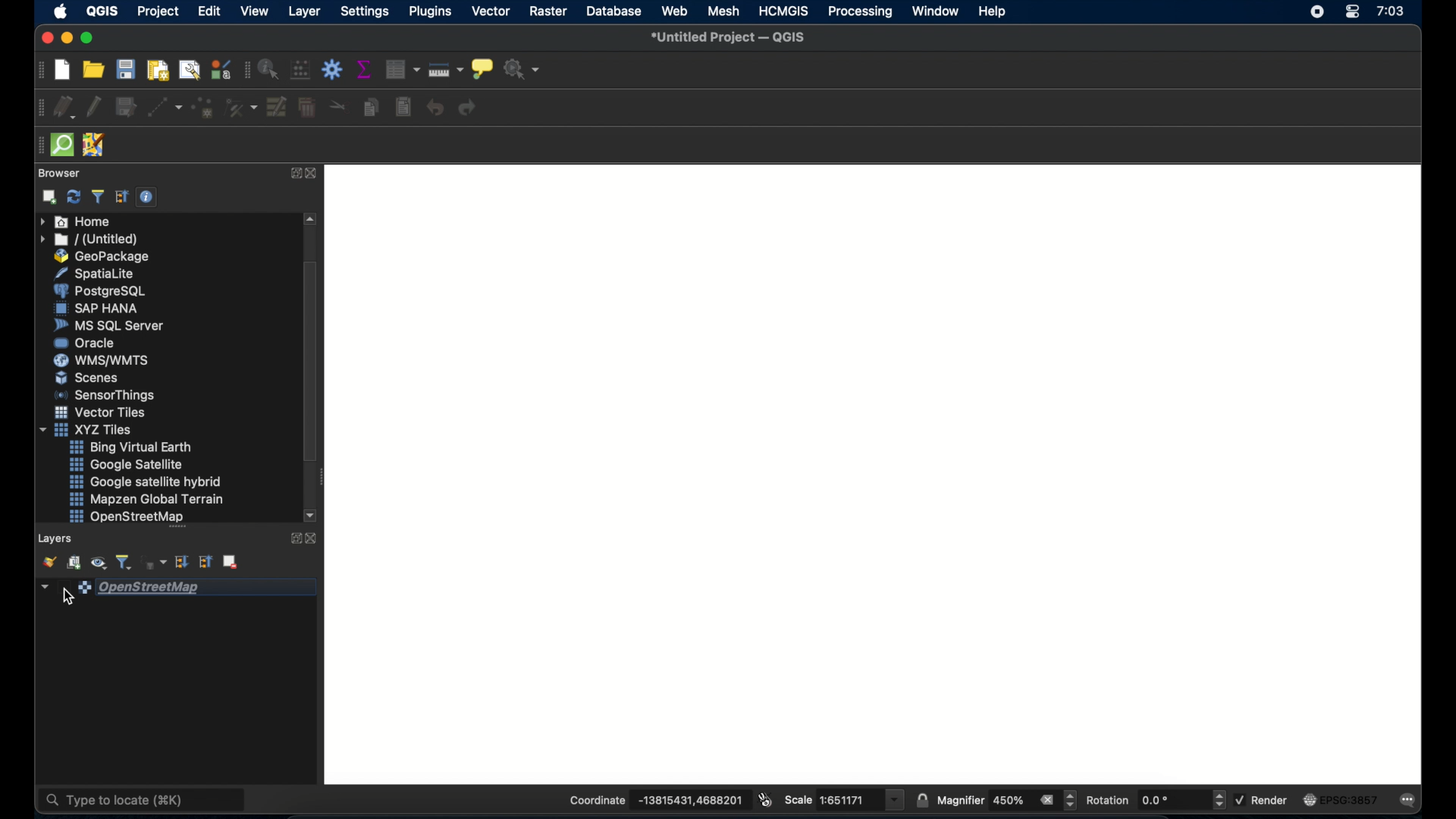  Describe the element at coordinates (86, 343) in the screenshot. I see `oracle` at that location.